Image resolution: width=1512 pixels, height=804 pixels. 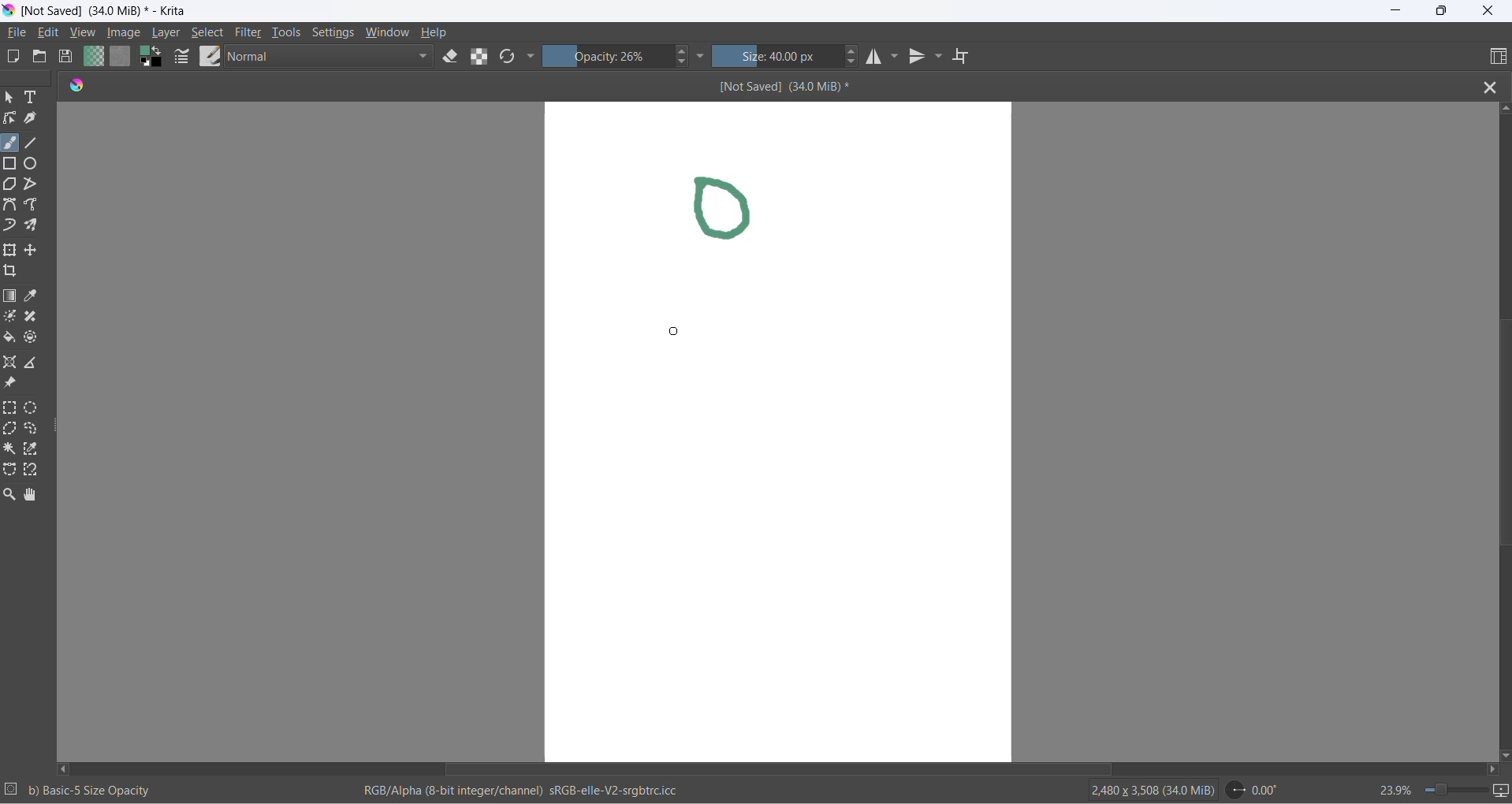 I want to click on blending mode, so click(x=333, y=58).